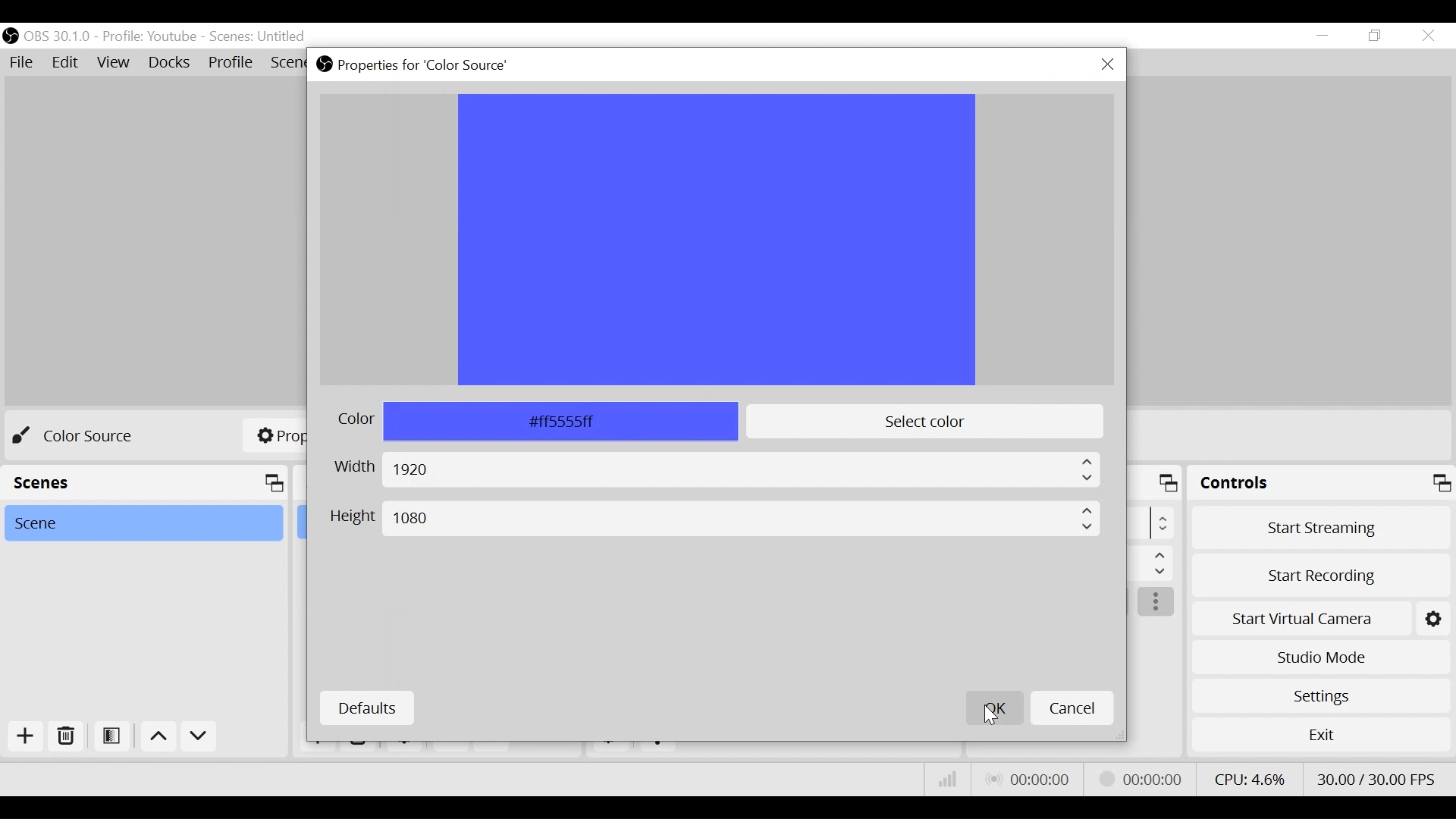 The height and width of the screenshot is (819, 1456). I want to click on File, so click(20, 61).